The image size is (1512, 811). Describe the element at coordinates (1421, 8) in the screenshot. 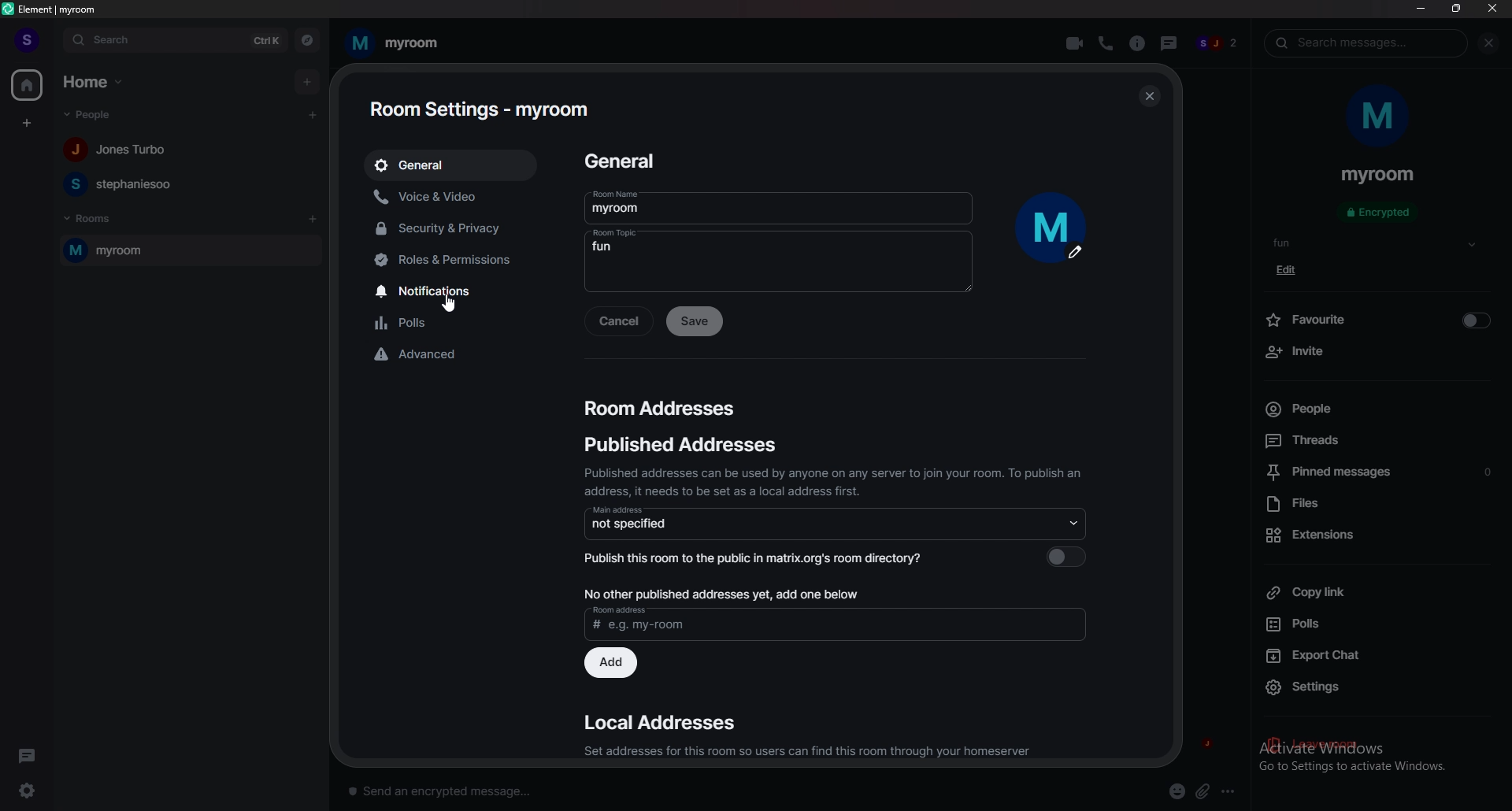

I see `minimize` at that location.